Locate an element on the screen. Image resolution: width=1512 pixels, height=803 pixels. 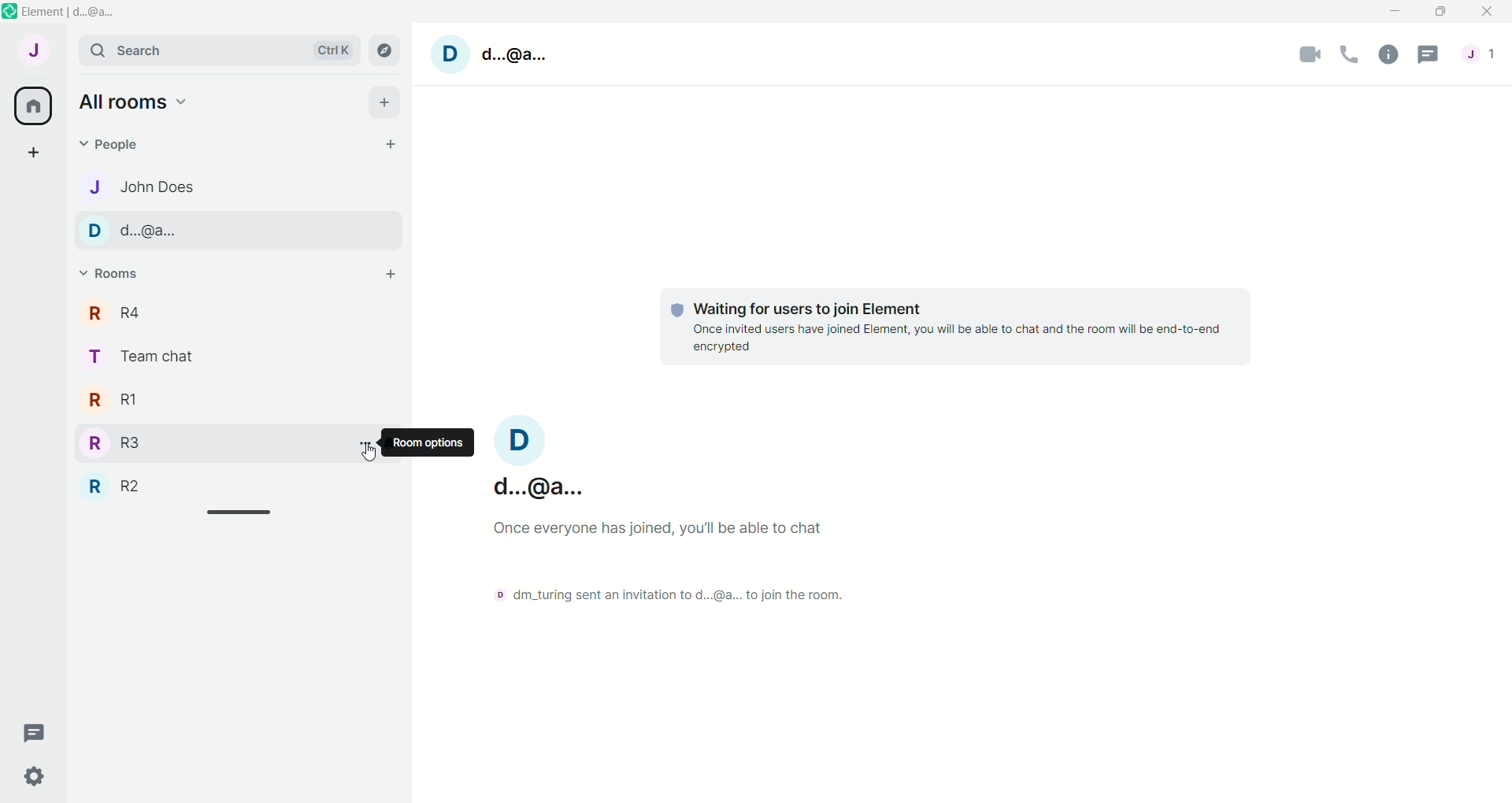
threads is located at coordinates (1429, 57).